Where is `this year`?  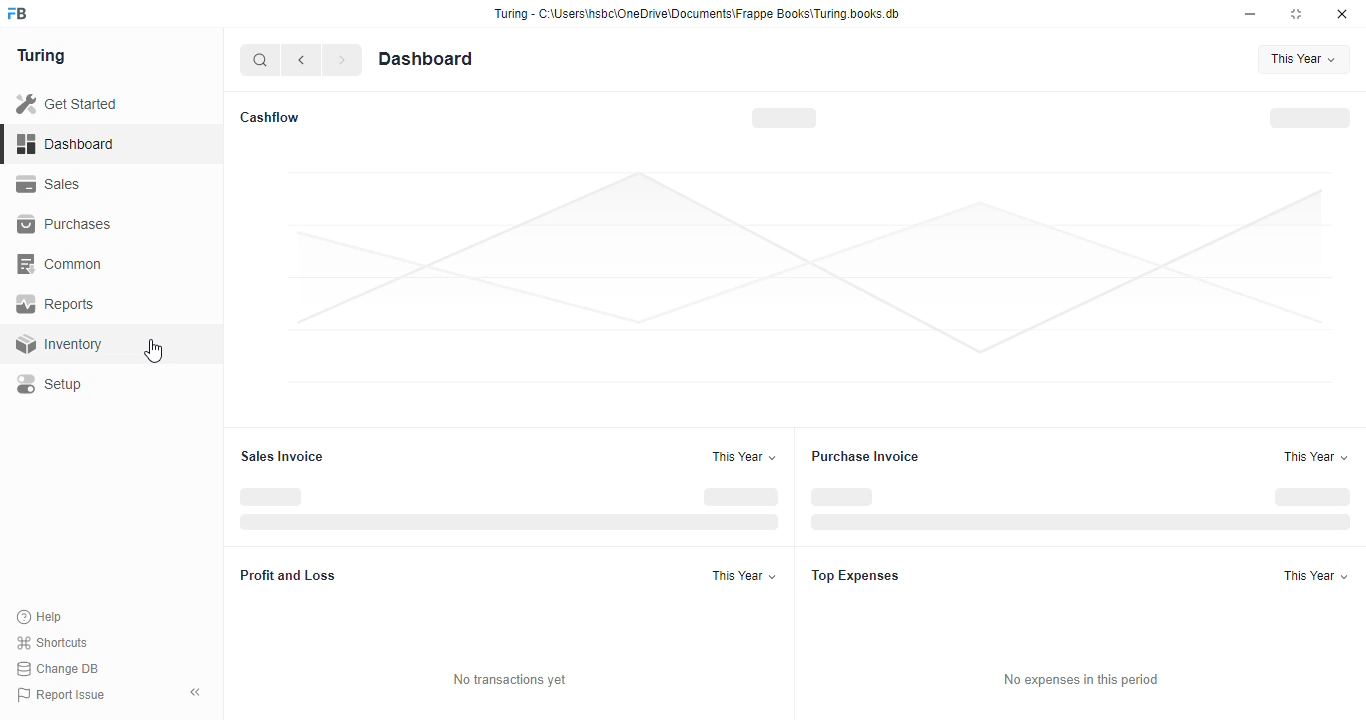
this year is located at coordinates (1316, 575).